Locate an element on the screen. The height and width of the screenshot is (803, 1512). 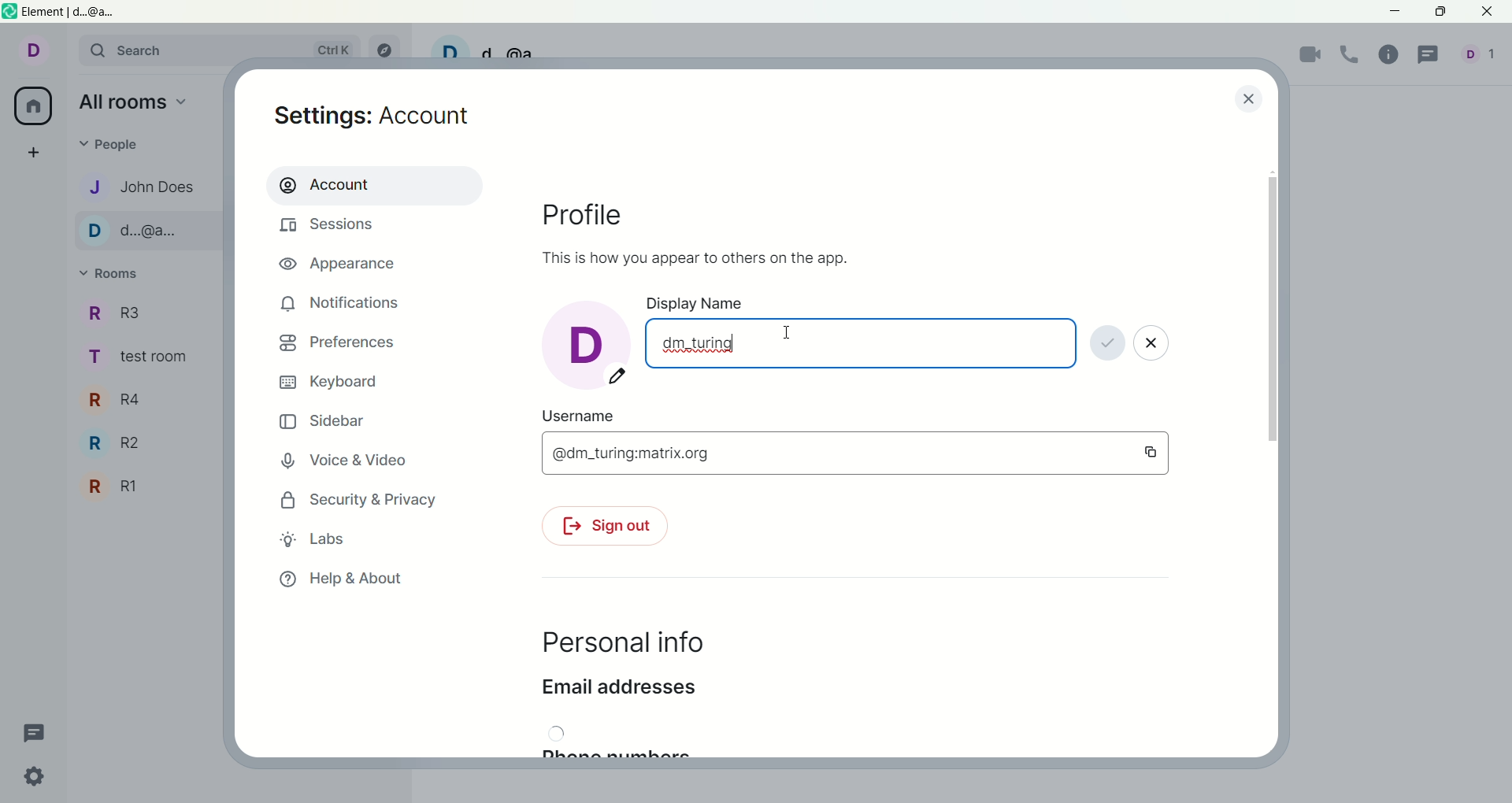
D..@a.. is located at coordinates (140, 232).